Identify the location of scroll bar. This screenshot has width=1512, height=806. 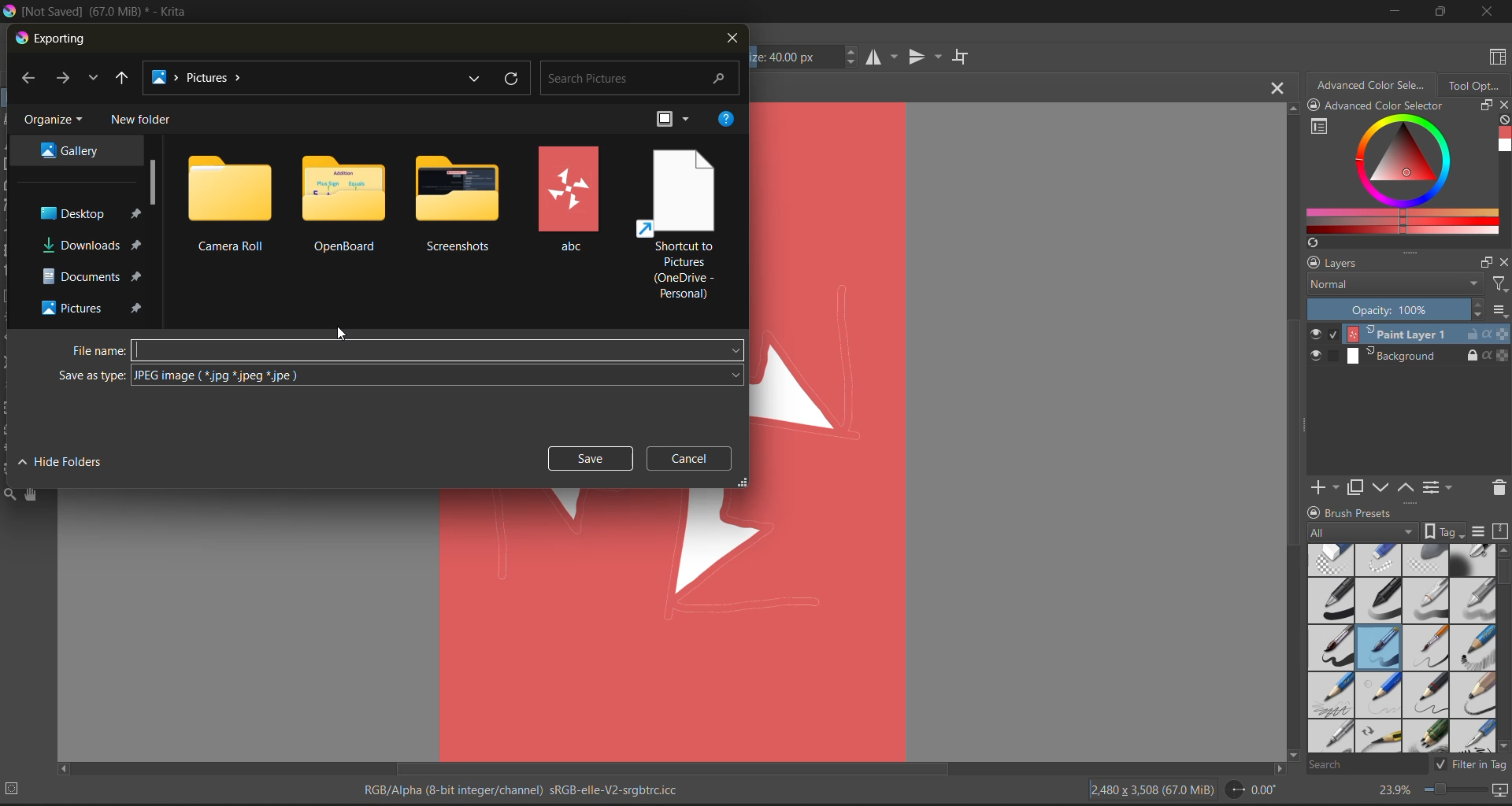
(153, 180).